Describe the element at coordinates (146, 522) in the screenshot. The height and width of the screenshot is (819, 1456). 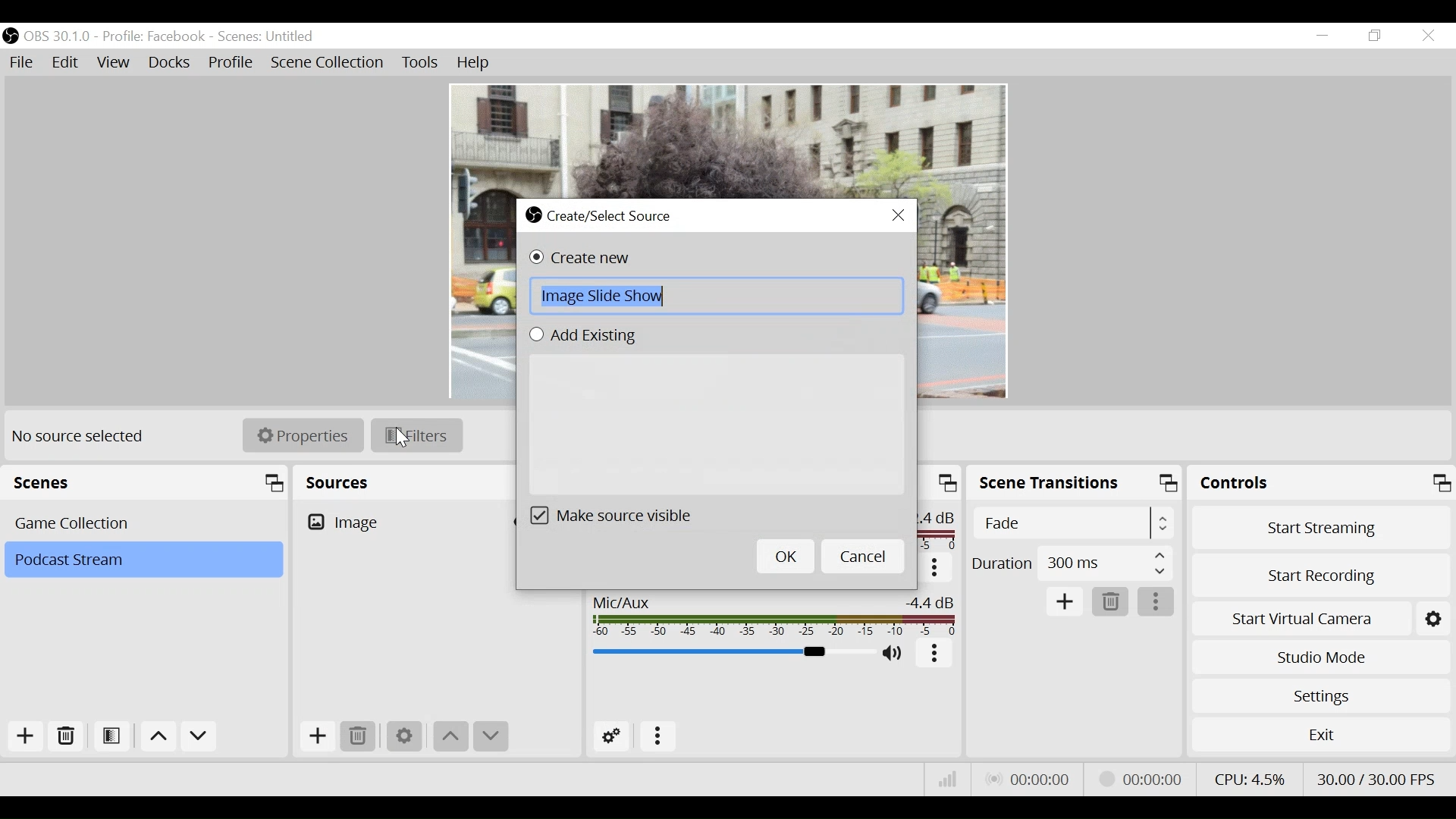
I see `Scene` at that location.